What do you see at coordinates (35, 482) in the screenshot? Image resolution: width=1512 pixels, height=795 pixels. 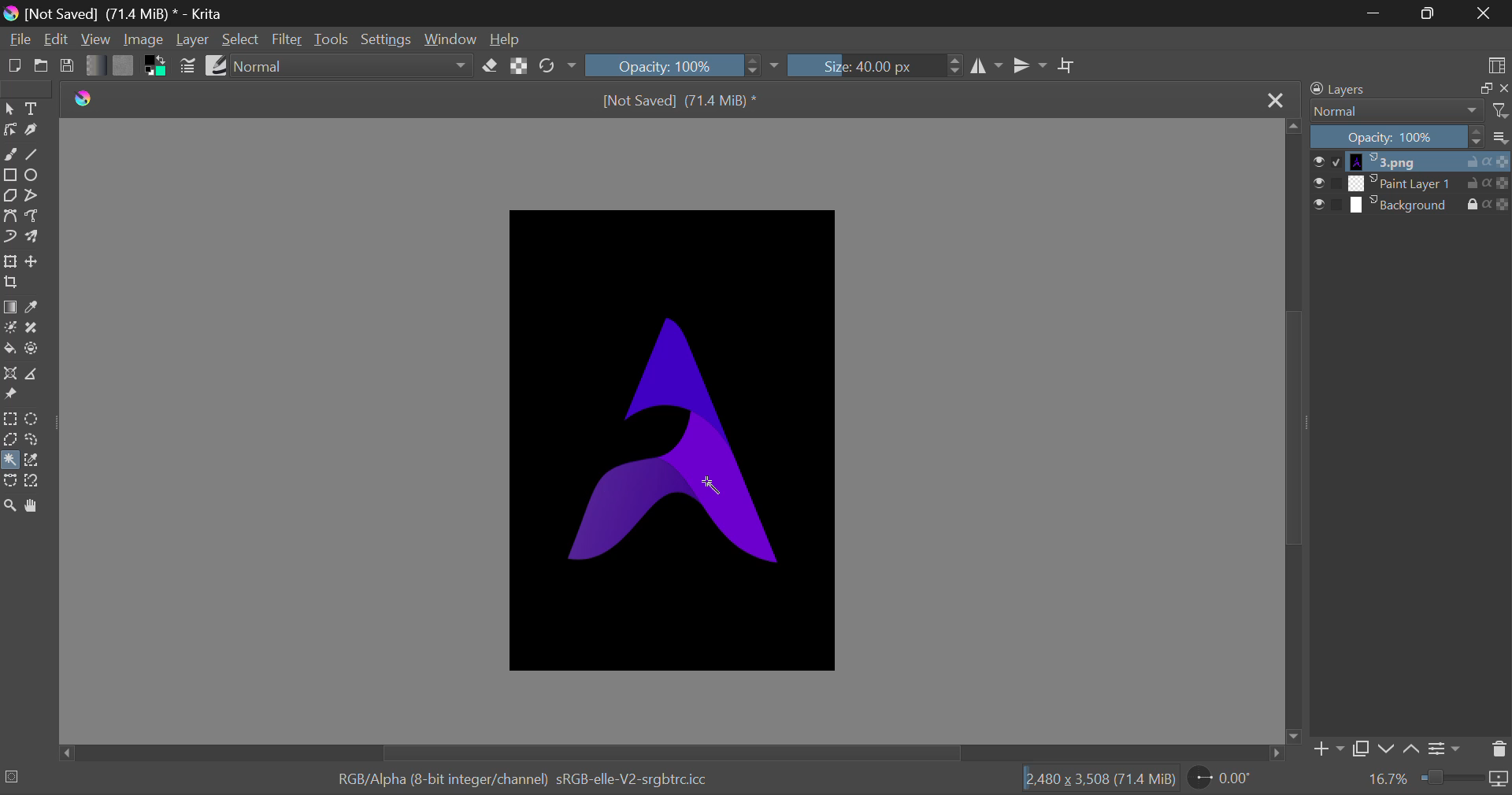 I see `Magnetic Curve Selection` at bounding box center [35, 482].